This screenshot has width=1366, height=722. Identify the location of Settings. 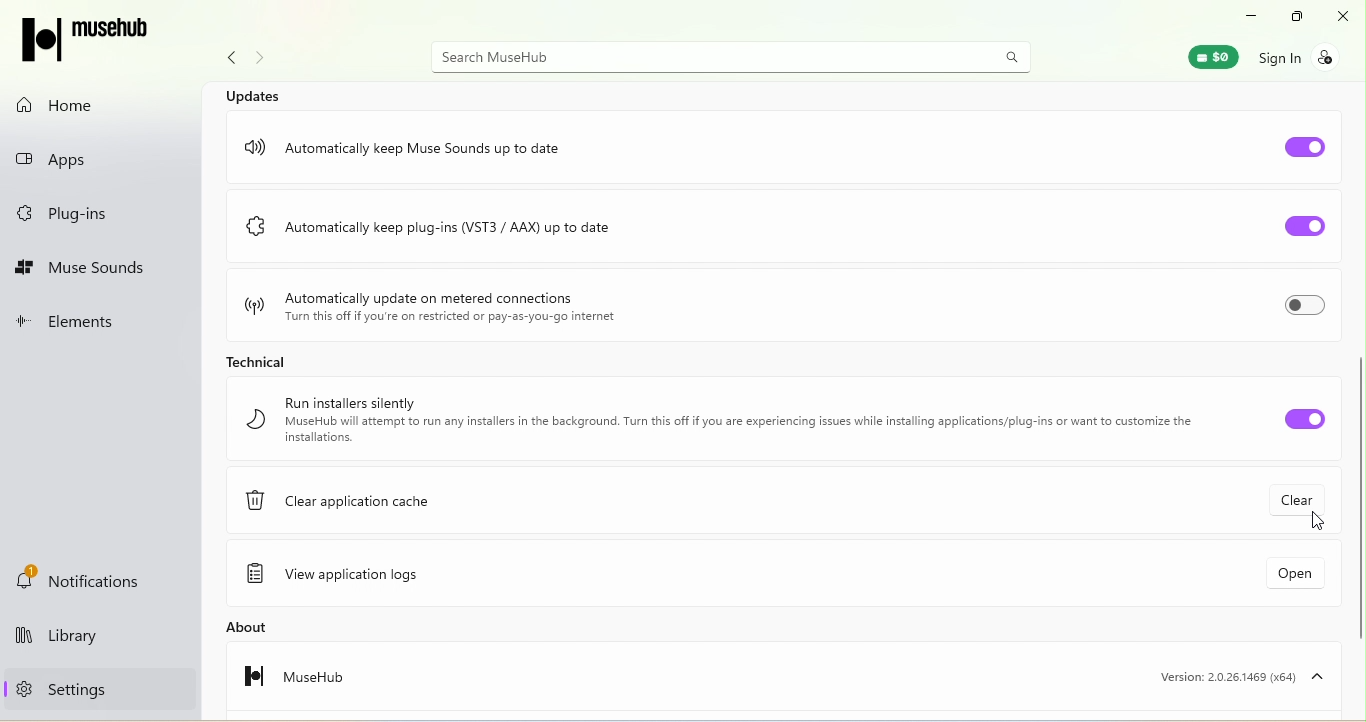
(56, 688).